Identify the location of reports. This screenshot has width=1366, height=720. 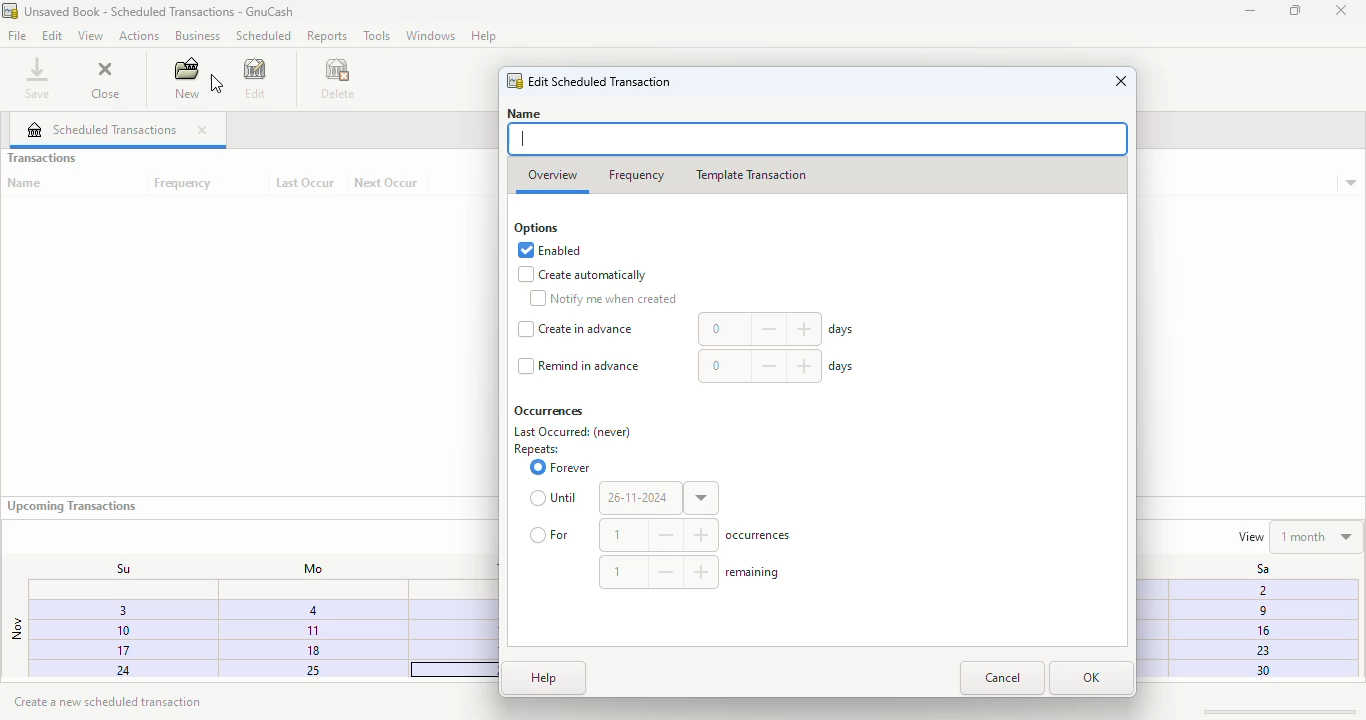
(328, 35).